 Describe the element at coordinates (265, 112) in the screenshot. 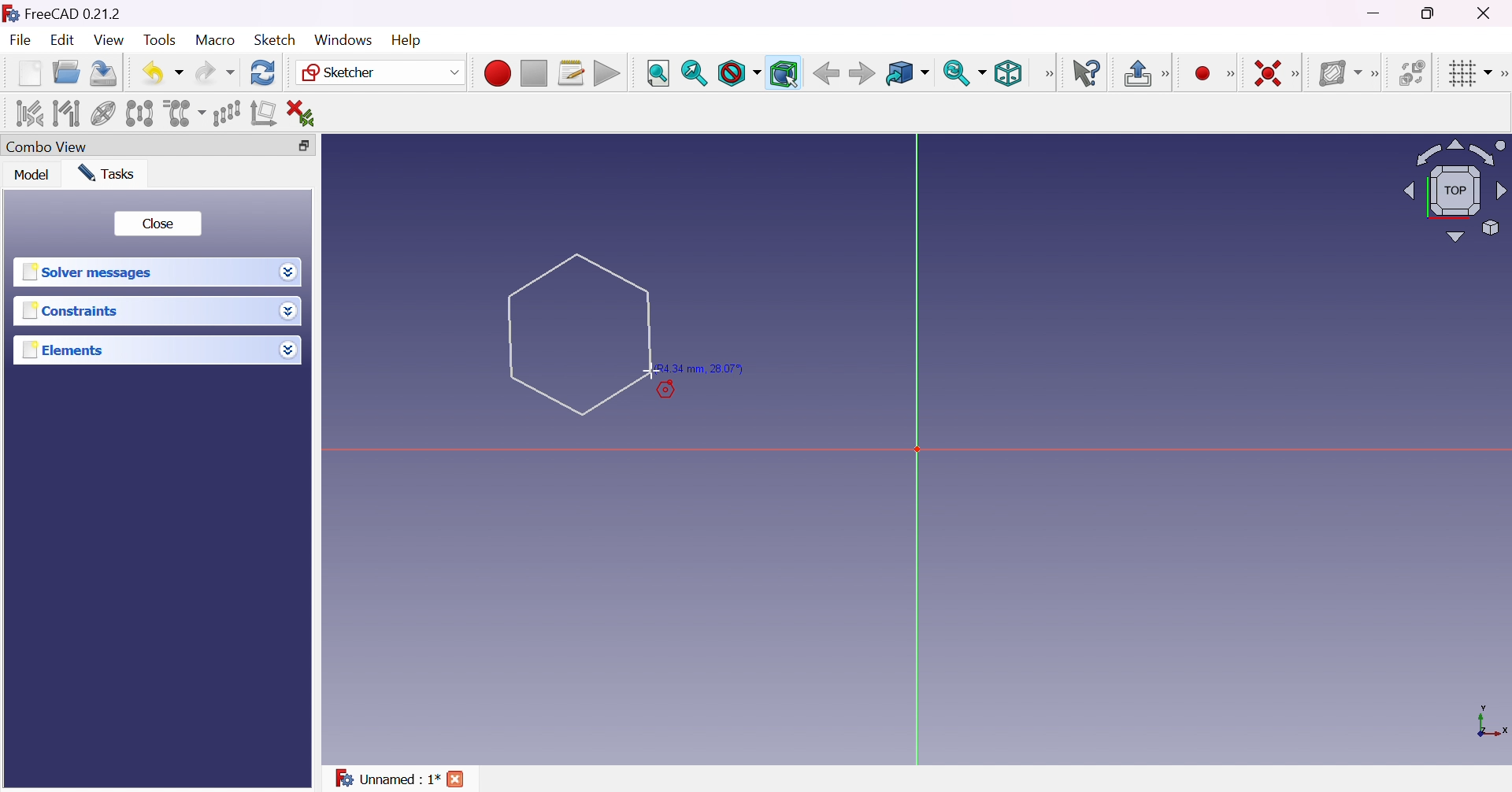

I see `Remove axis alignment` at that location.